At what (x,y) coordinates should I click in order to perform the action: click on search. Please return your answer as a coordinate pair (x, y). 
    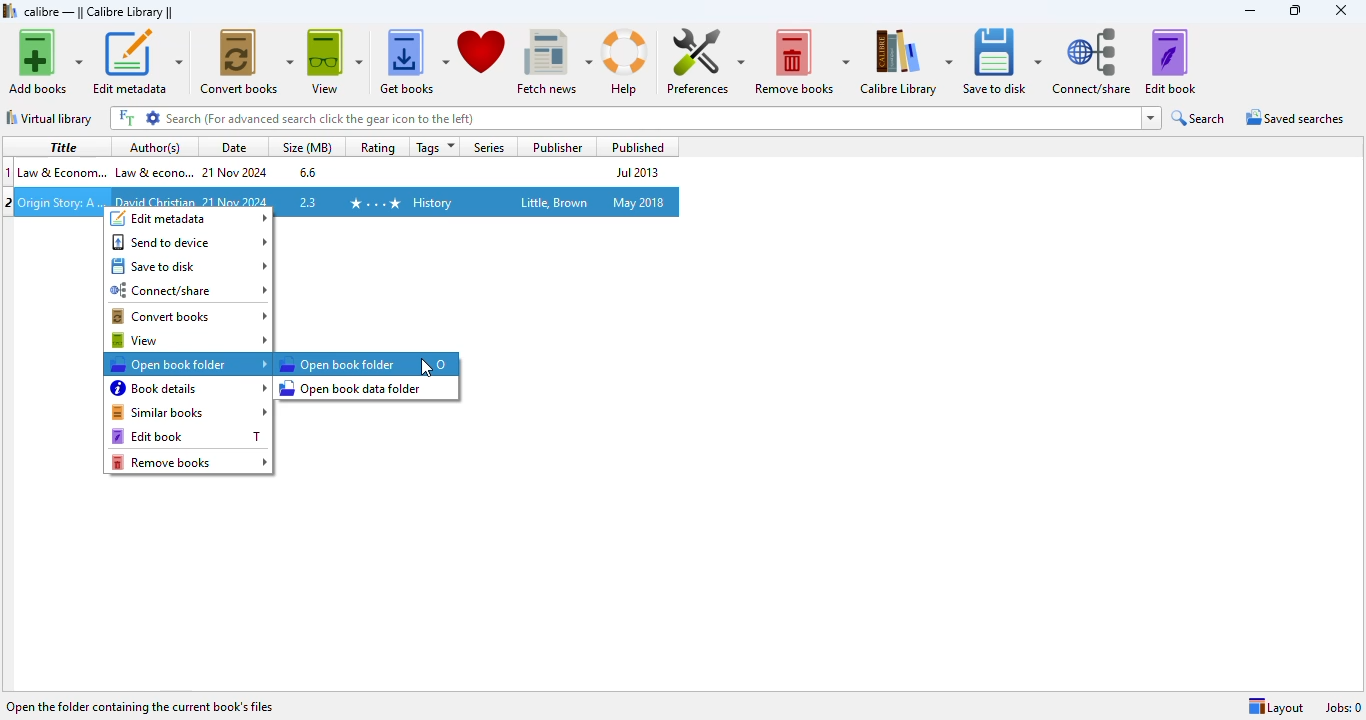
    Looking at the image, I should click on (1199, 119).